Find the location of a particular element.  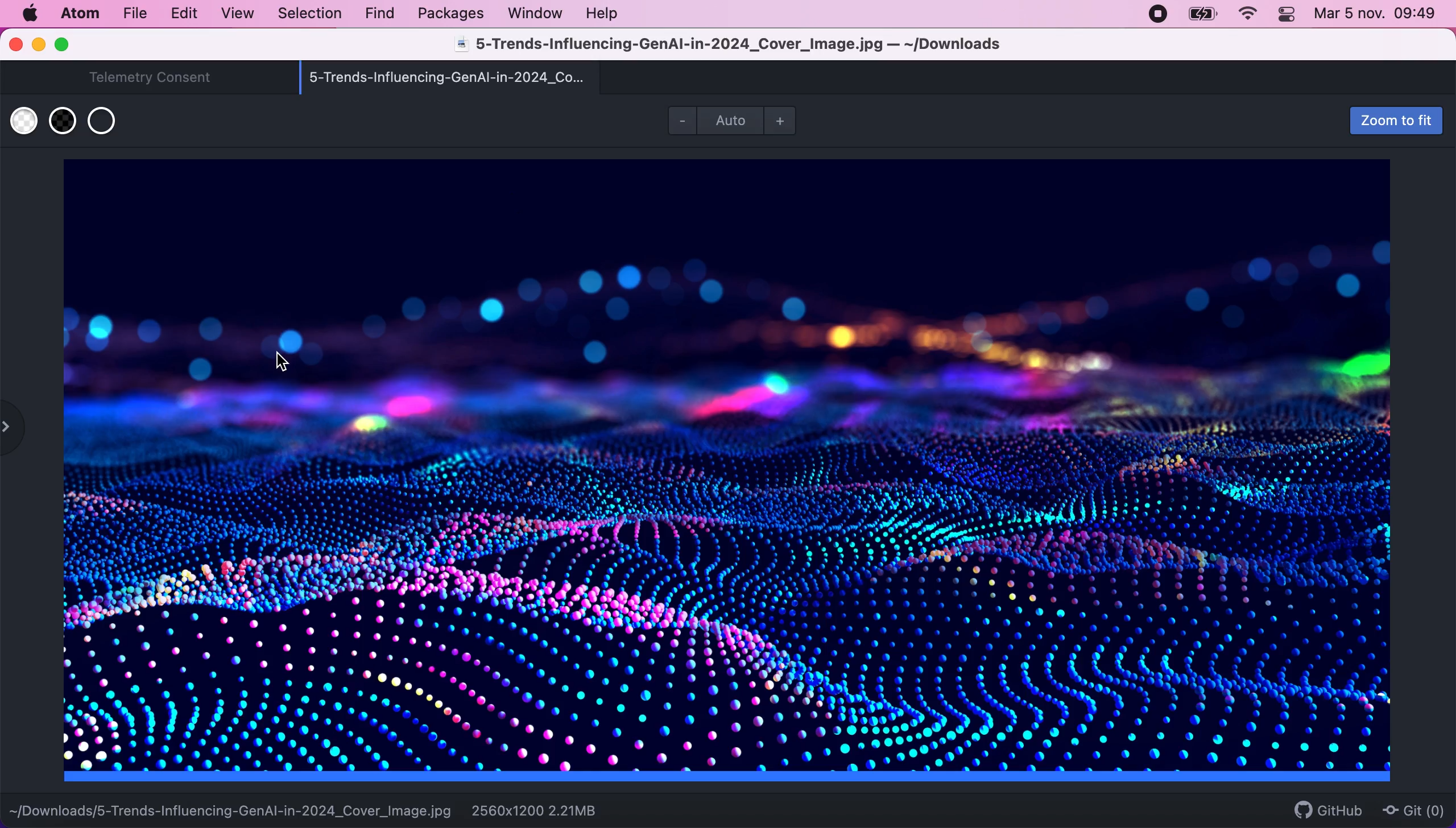

auto is located at coordinates (729, 123).